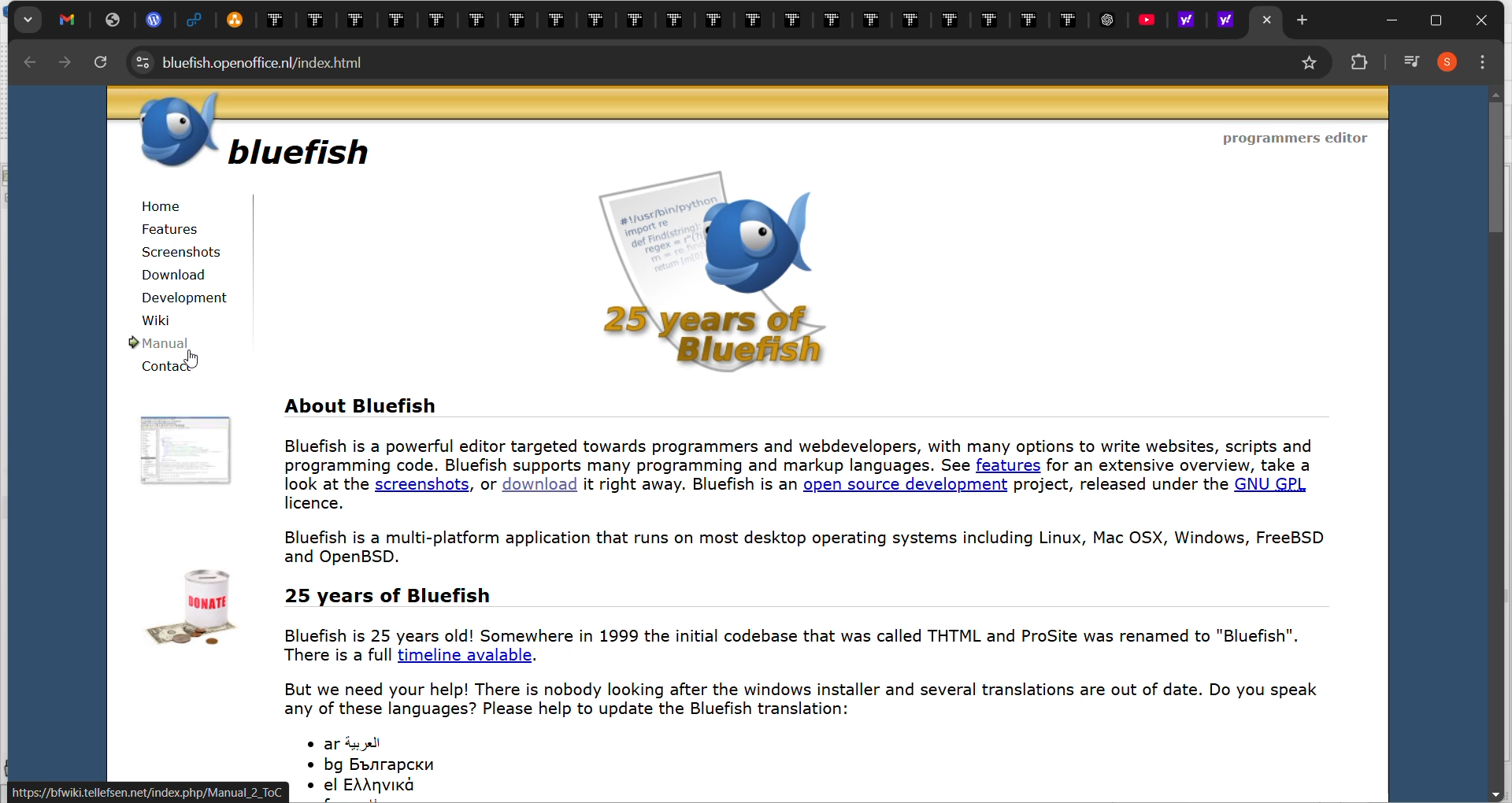 This screenshot has height=803, width=1512. What do you see at coordinates (1266, 20) in the screenshot?
I see `current tab` at bounding box center [1266, 20].